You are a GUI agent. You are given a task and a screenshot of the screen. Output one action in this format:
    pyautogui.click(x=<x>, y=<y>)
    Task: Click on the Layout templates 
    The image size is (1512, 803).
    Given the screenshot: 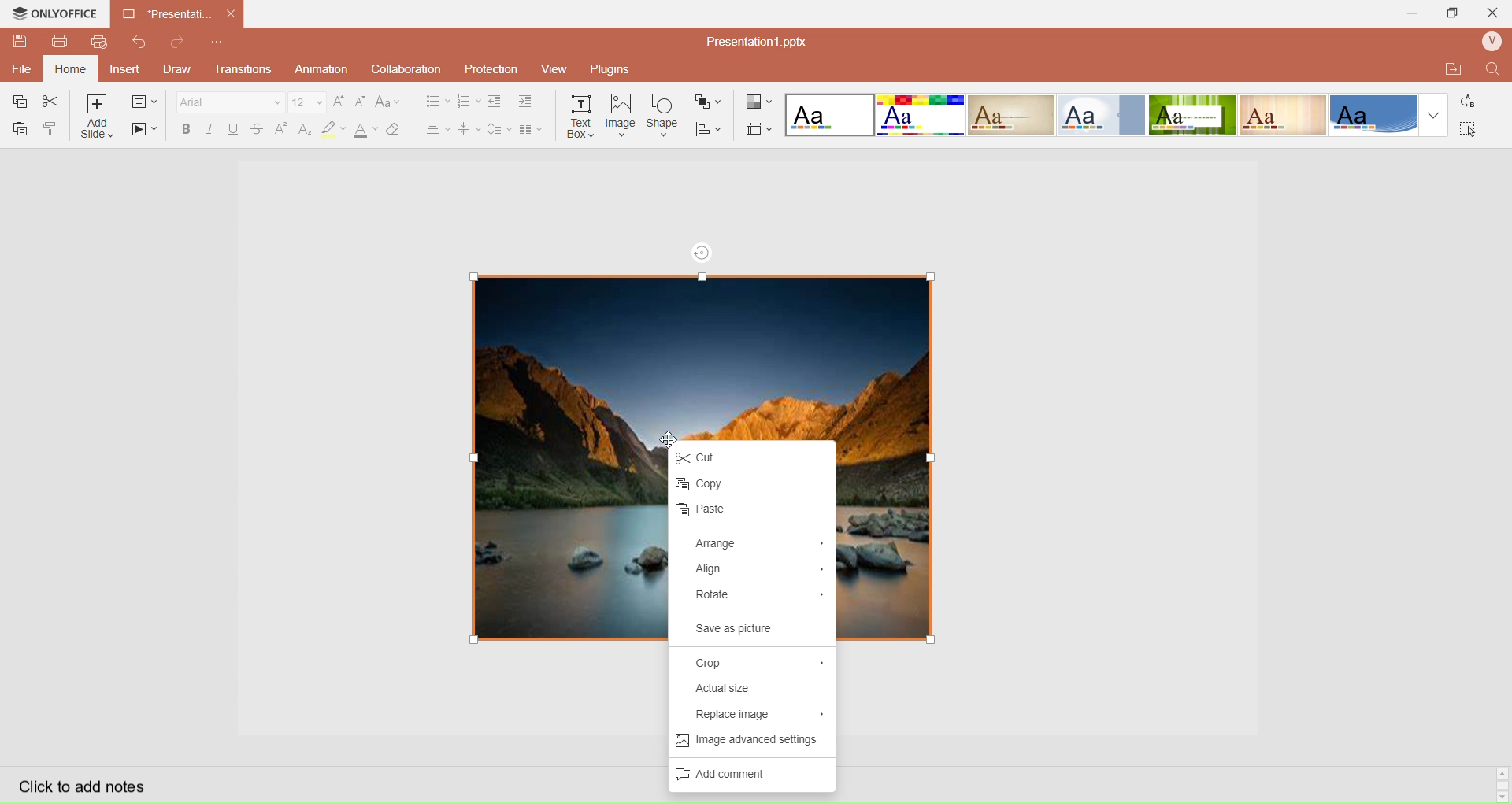 What is the action you would take?
    pyautogui.click(x=1118, y=115)
    